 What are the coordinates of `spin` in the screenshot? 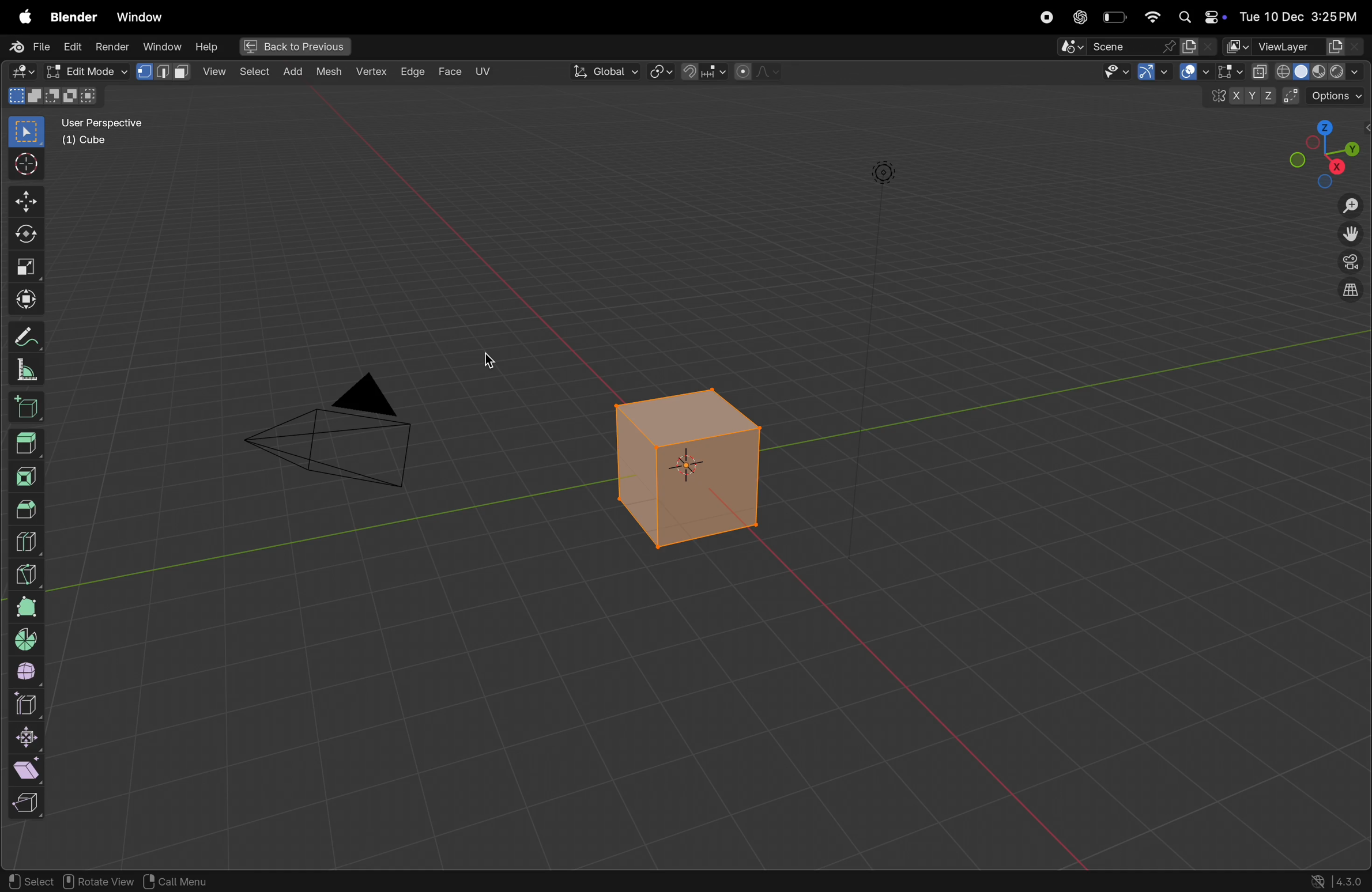 It's located at (27, 640).